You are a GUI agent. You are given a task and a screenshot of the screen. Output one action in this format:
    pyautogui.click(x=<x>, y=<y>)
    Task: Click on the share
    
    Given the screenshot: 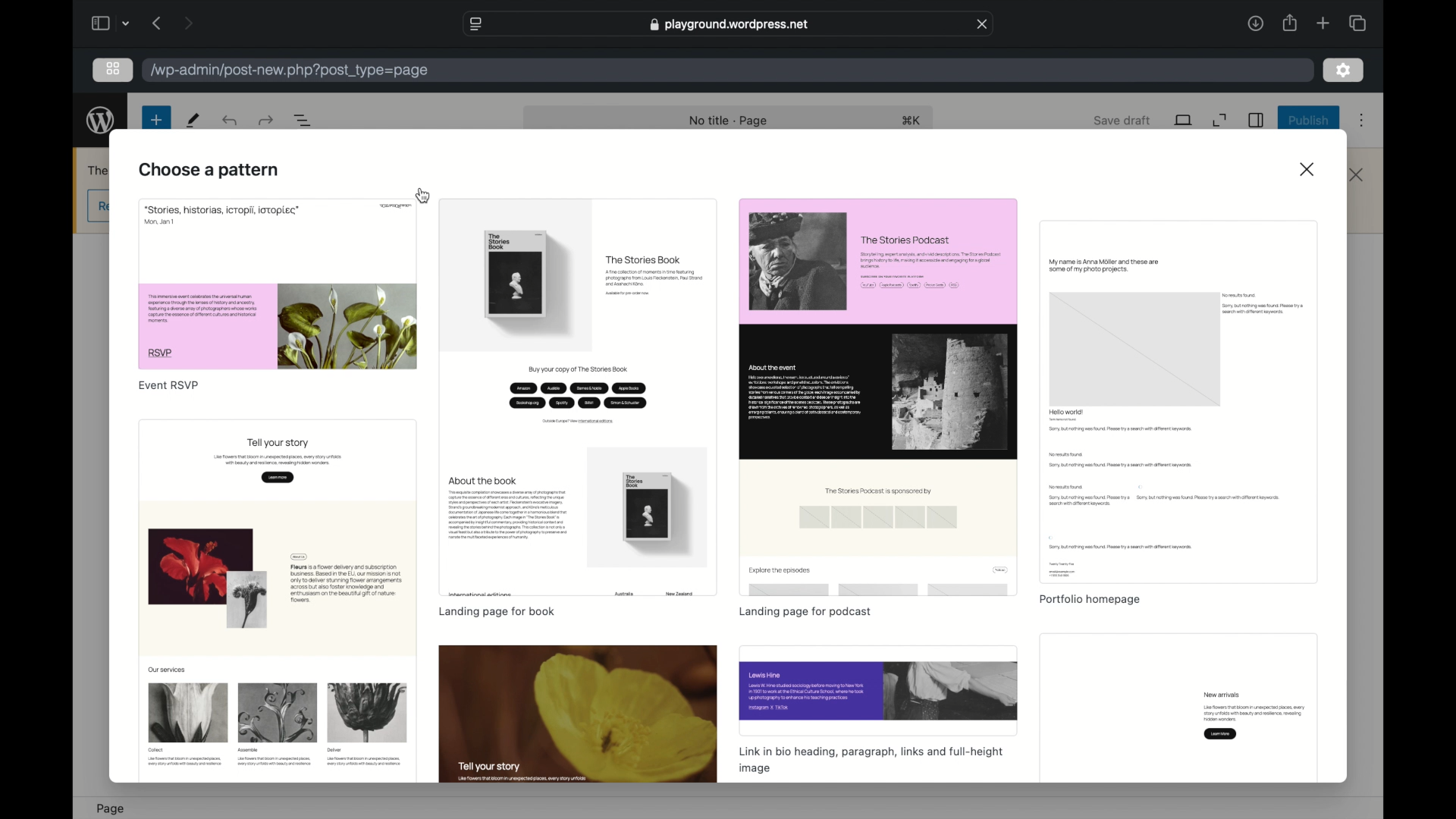 What is the action you would take?
    pyautogui.click(x=1289, y=23)
    